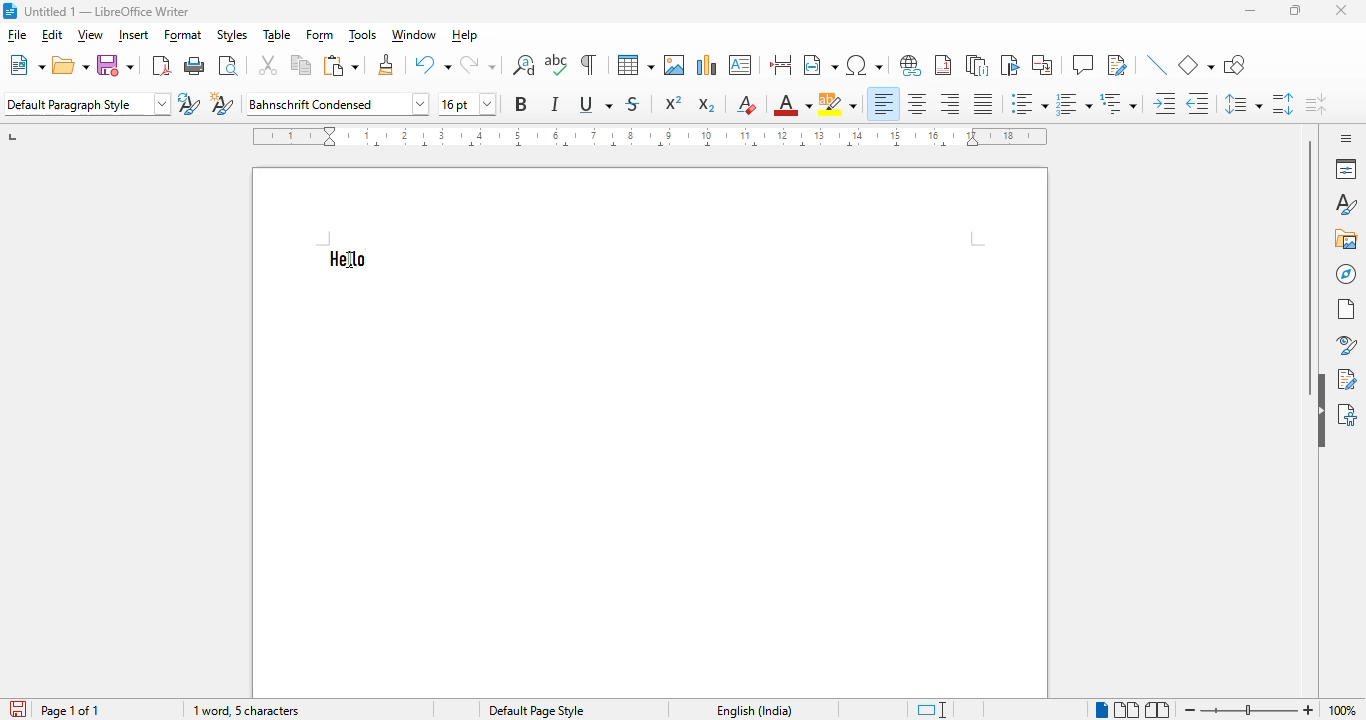 Image resolution: width=1366 pixels, height=720 pixels. I want to click on check spelling, so click(557, 64).